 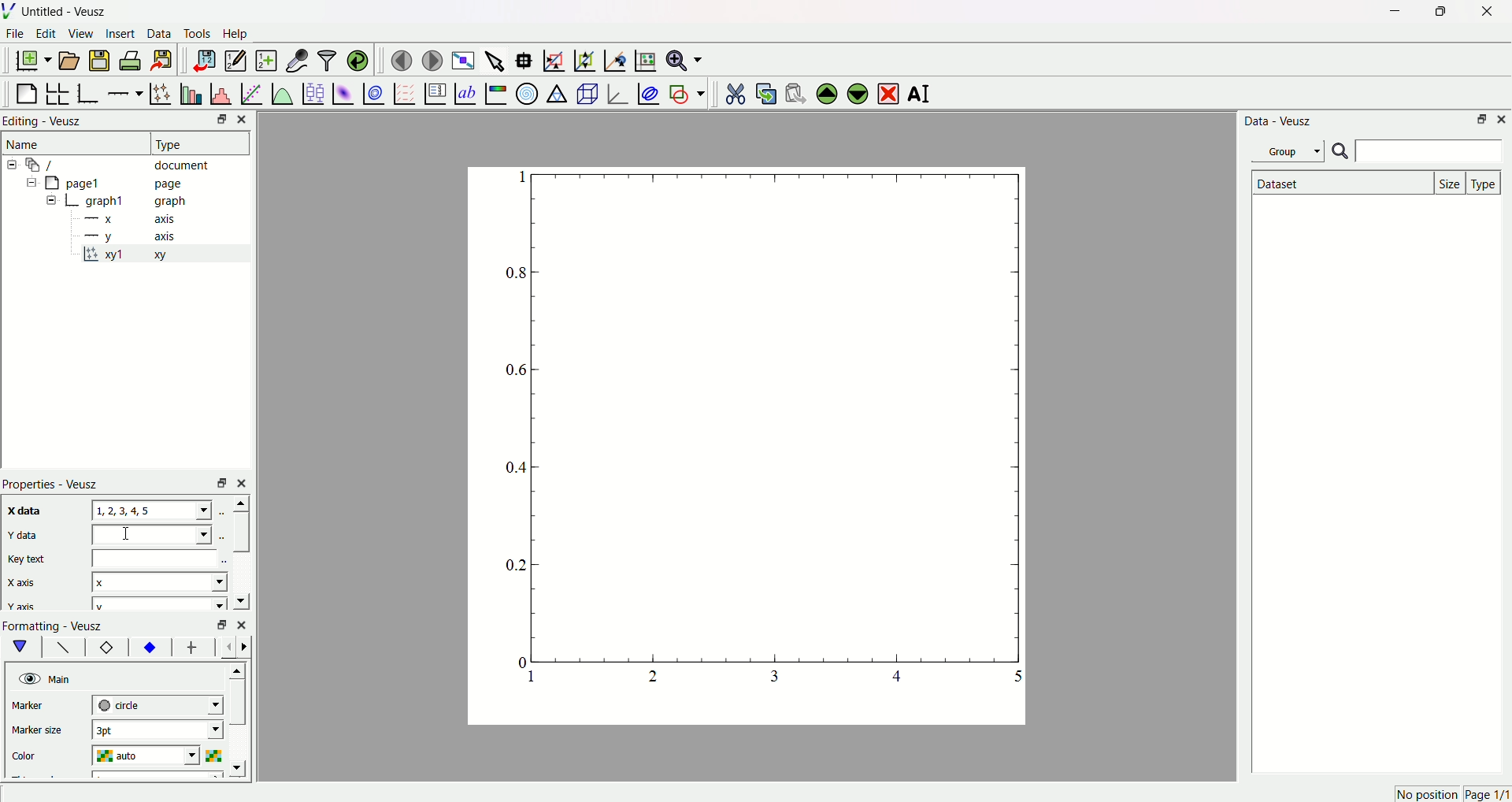 I want to click on Close, so click(x=246, y=119).